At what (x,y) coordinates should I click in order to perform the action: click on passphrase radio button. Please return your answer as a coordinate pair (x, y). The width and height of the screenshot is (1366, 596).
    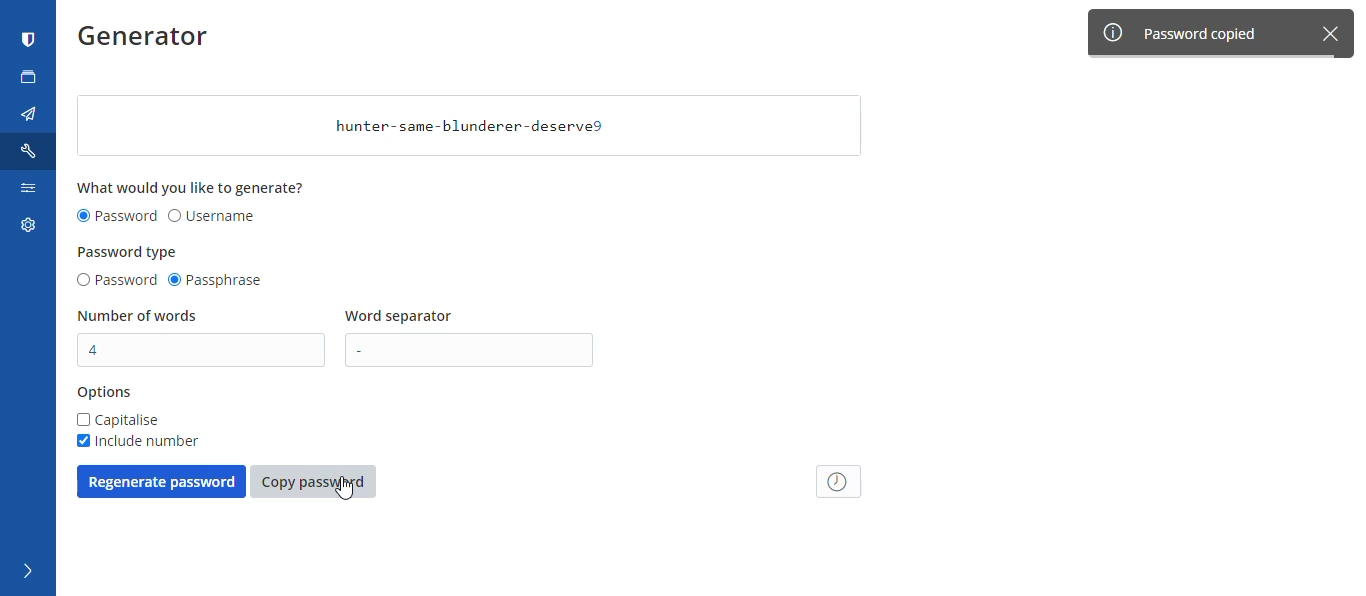
    Looking at the image, I should click on (219, 281).